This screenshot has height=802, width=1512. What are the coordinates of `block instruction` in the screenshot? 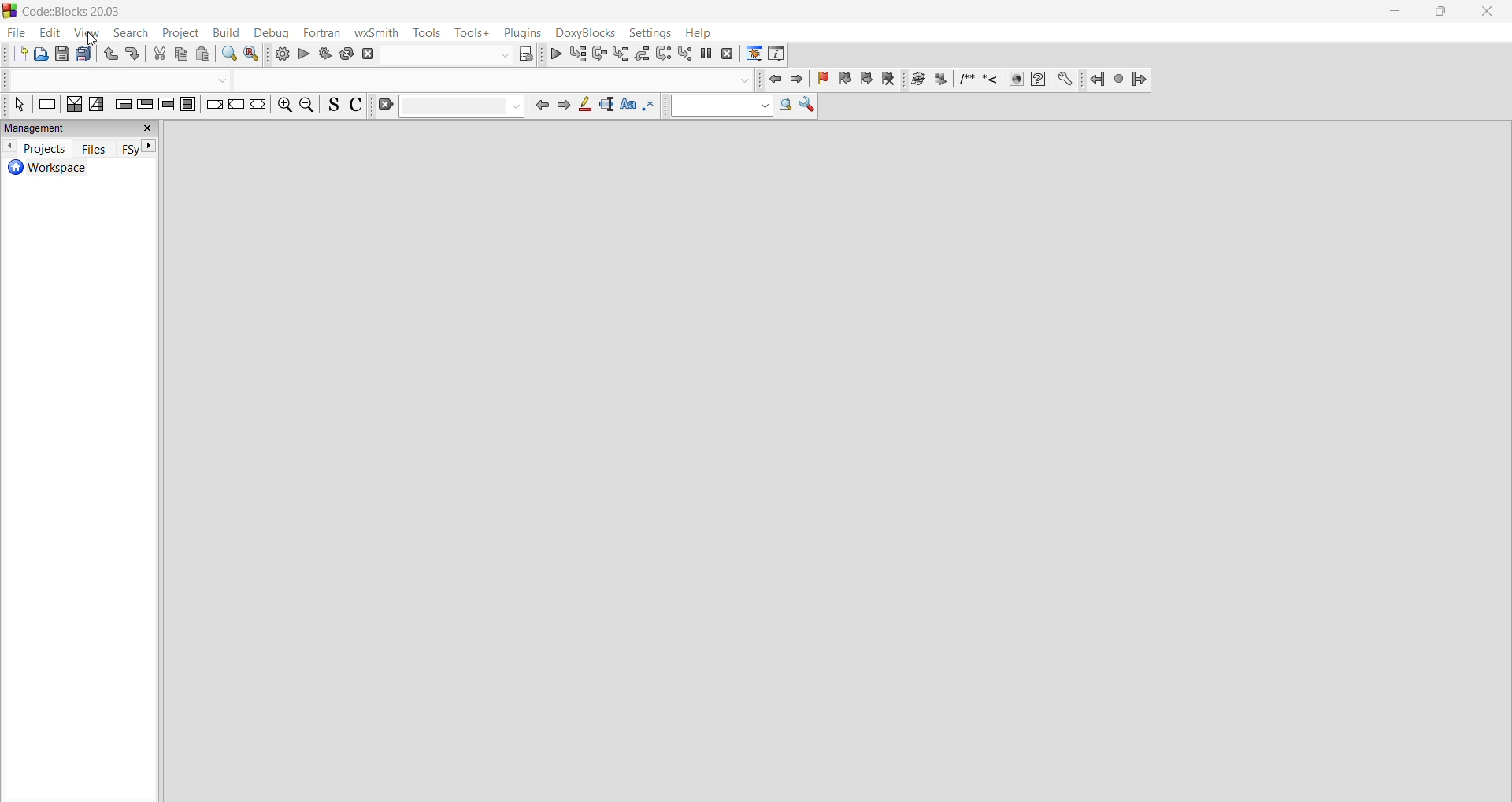 It's located at (189, 104).